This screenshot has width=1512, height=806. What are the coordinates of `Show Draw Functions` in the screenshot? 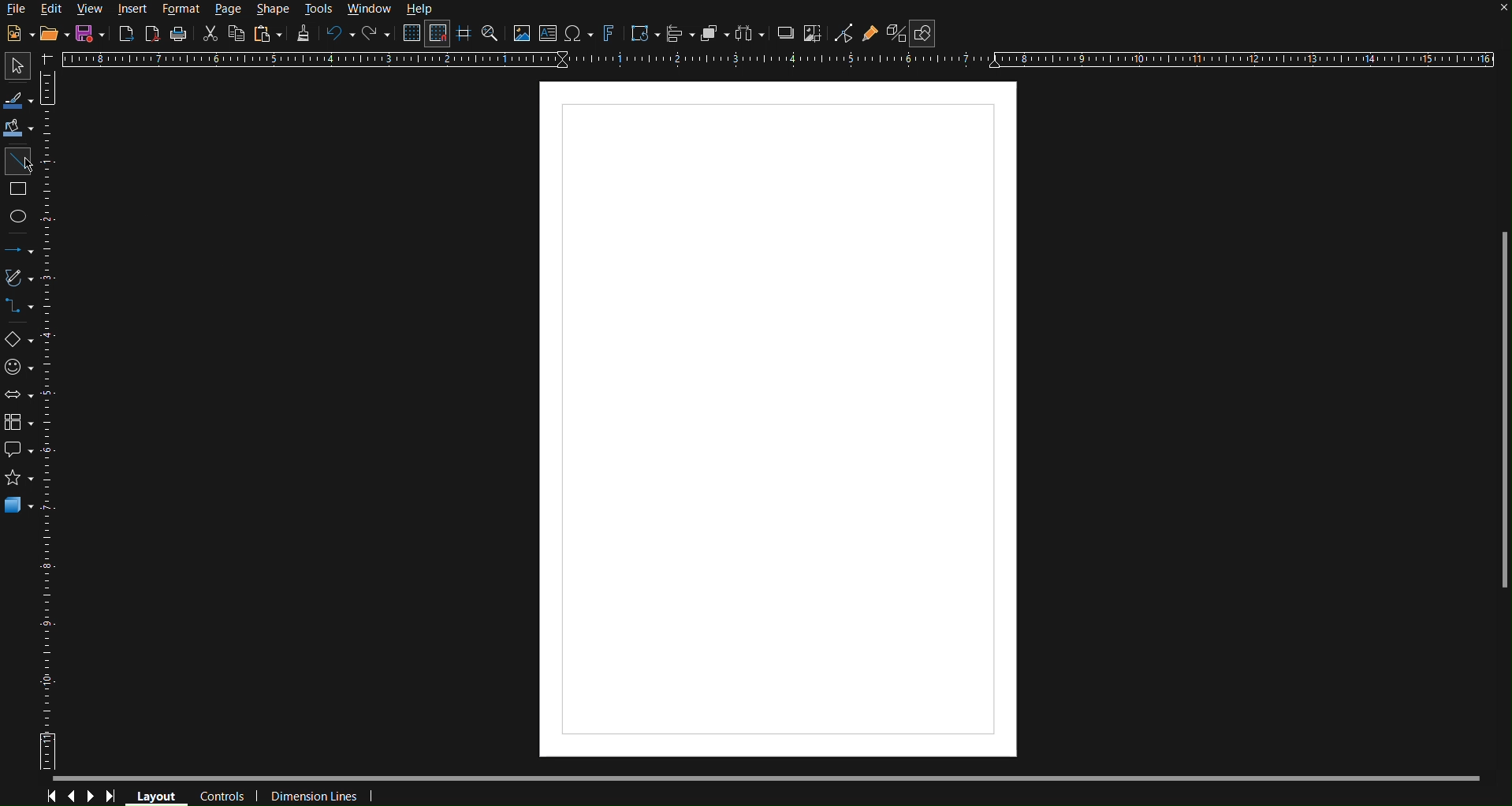 It's located at (923, 33).